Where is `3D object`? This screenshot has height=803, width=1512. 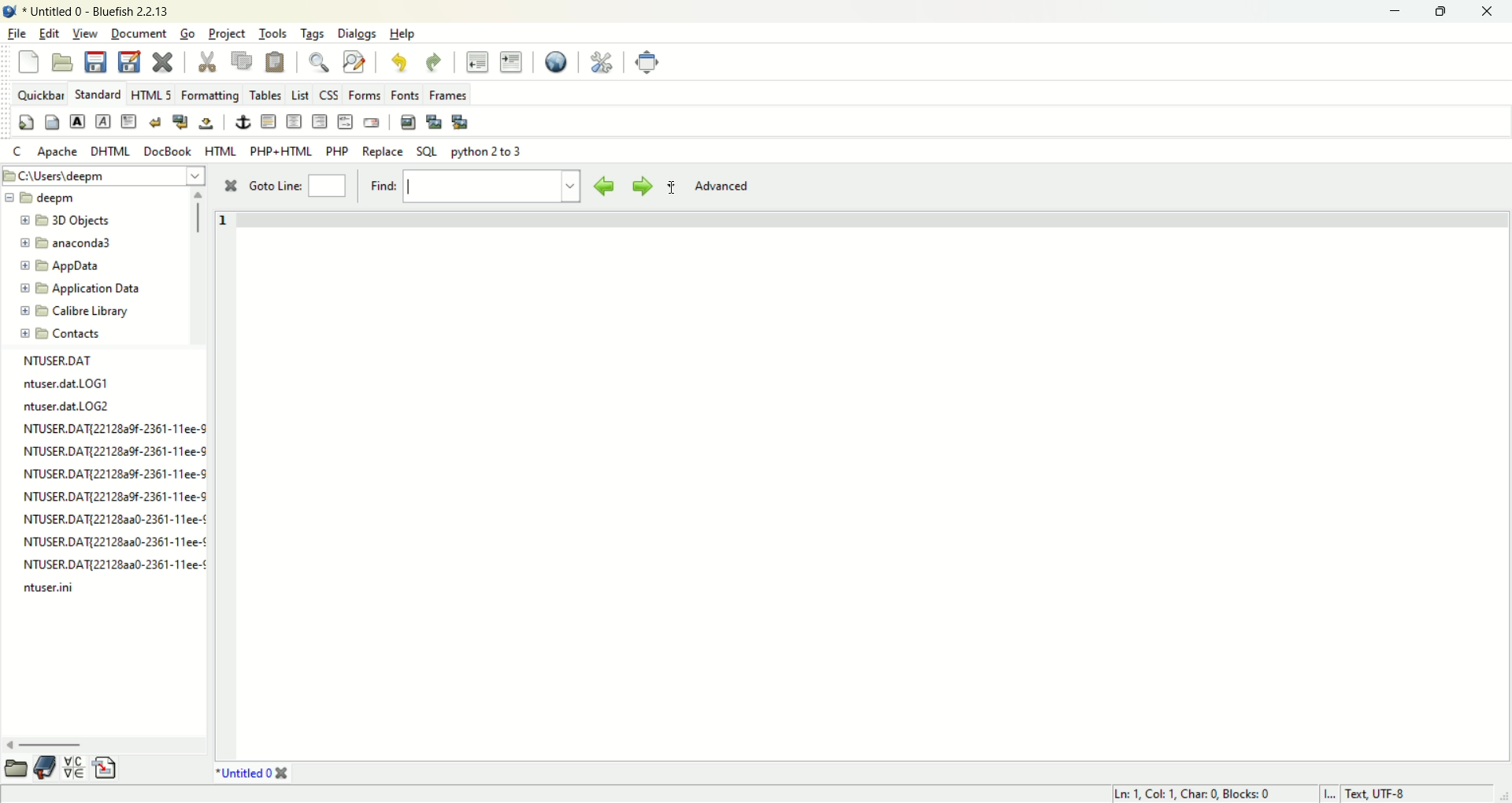
3D object is located at coordinates (71, 221).